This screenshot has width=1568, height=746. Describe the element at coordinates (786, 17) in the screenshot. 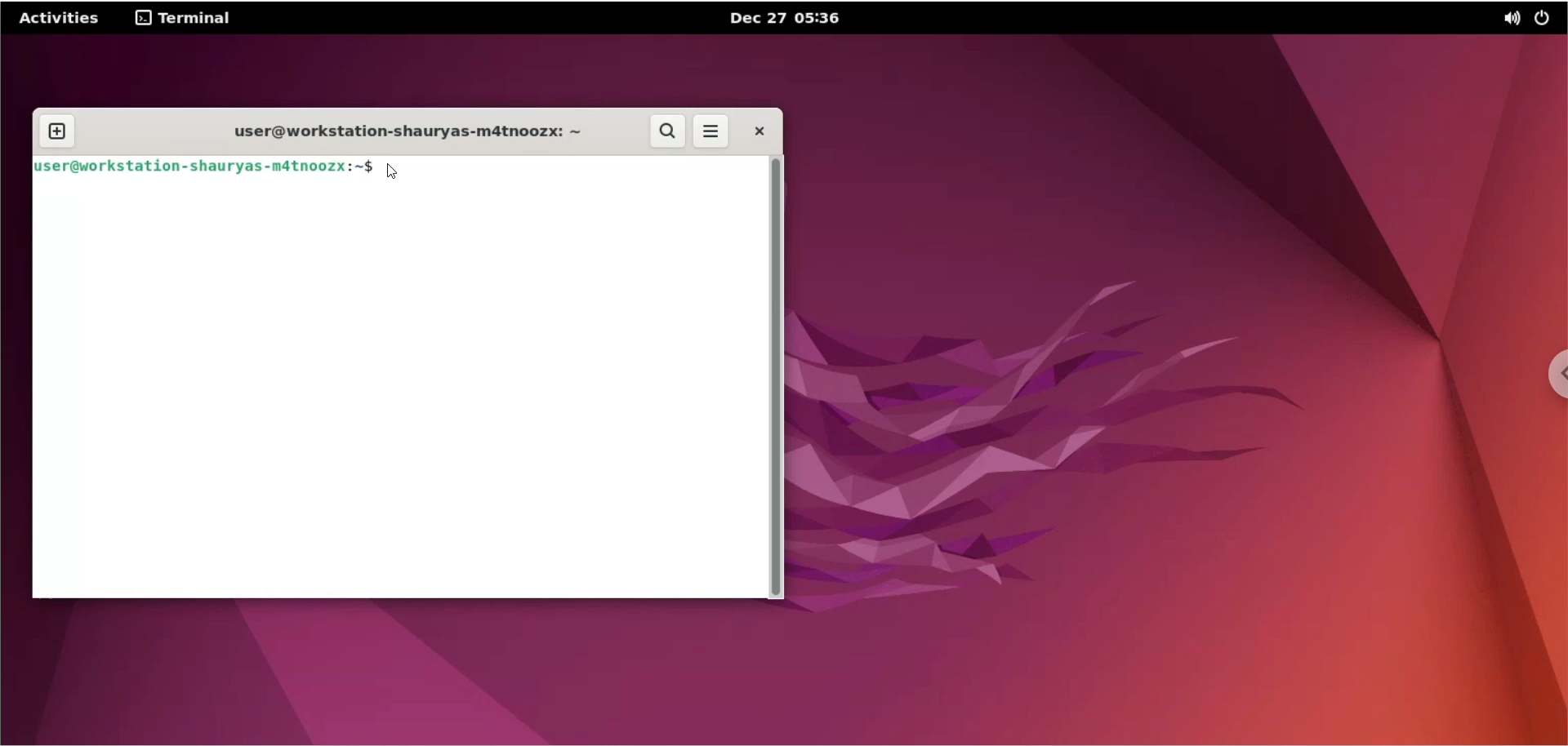

I see `Dec 27 05:36` at that location.